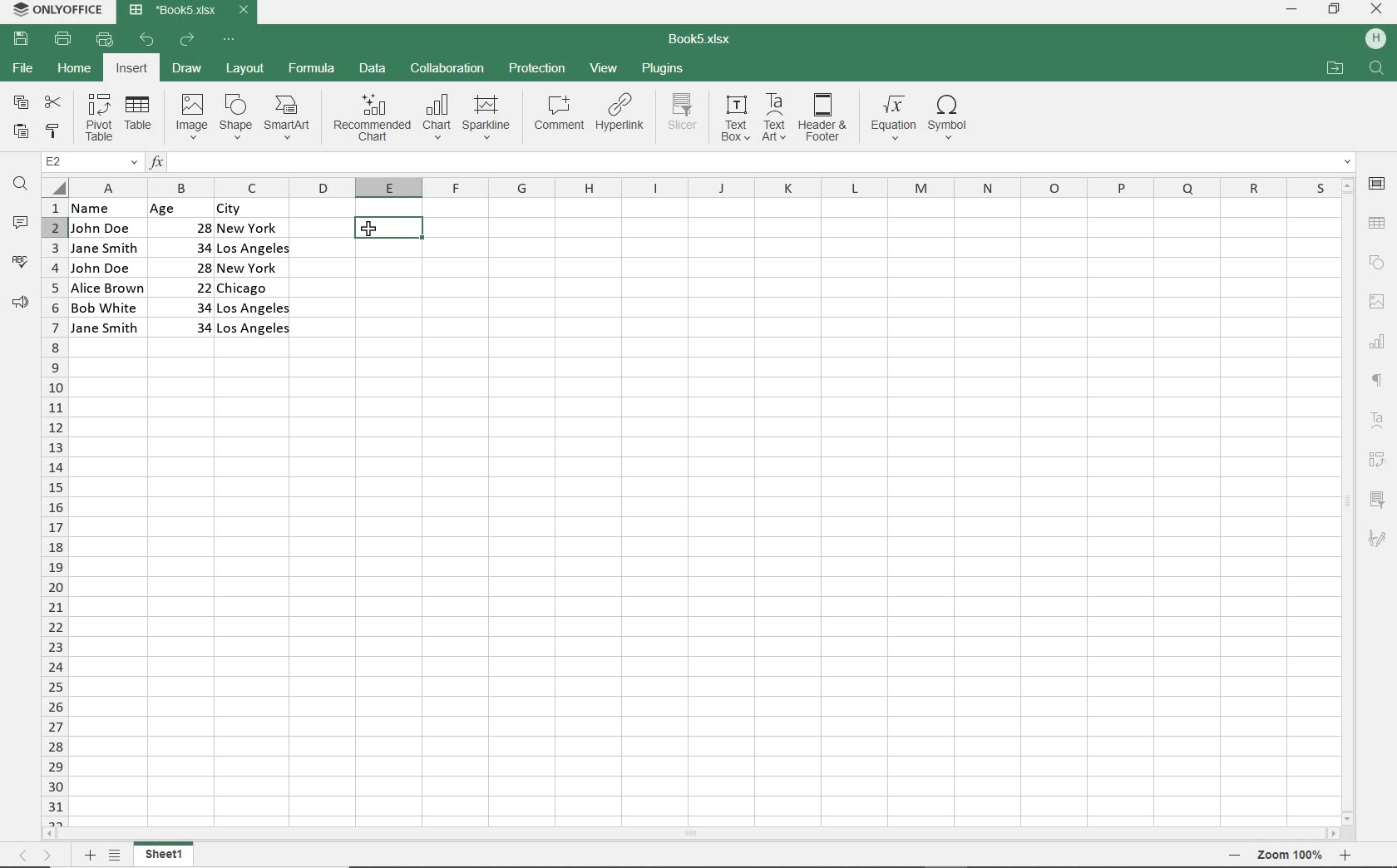 The height and width of the screenshot is (868, 1397). Describe the element at coordinates (538, 69) in the screenshot. I see `PROTECTION` at that location.